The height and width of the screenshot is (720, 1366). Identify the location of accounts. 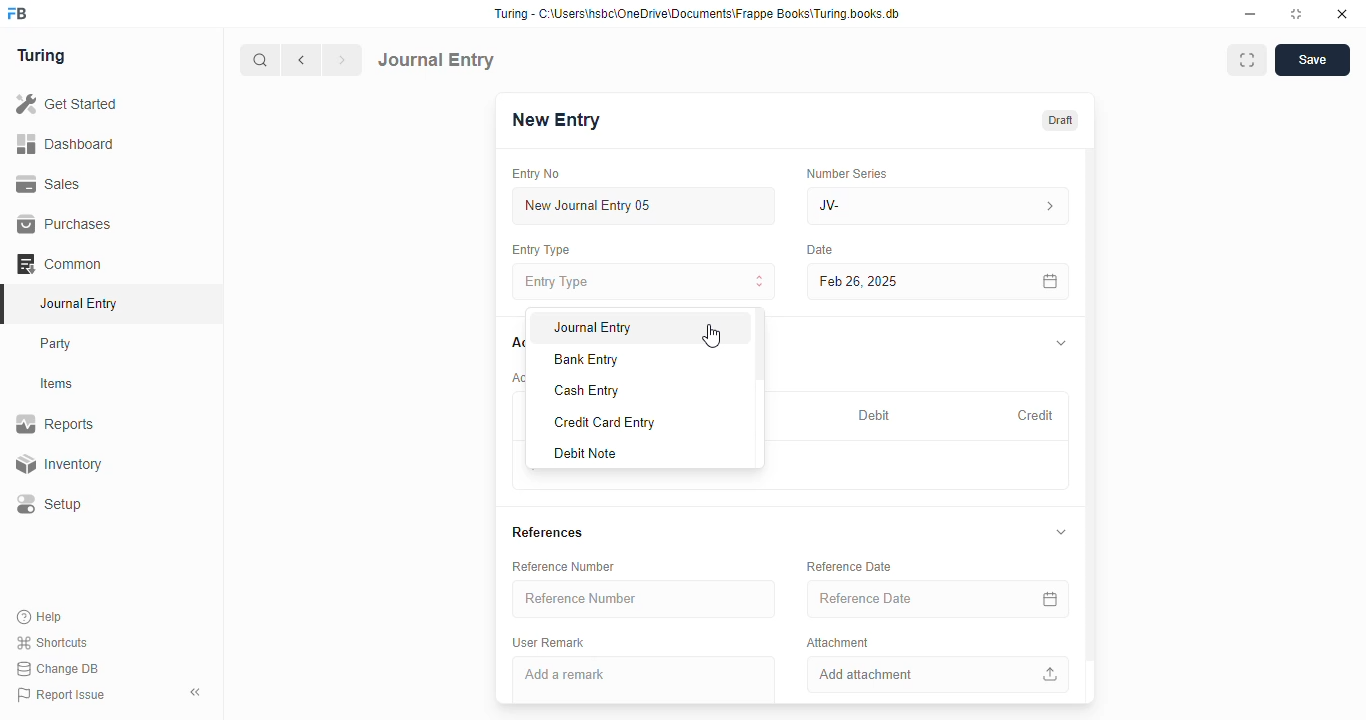
(517, 343).